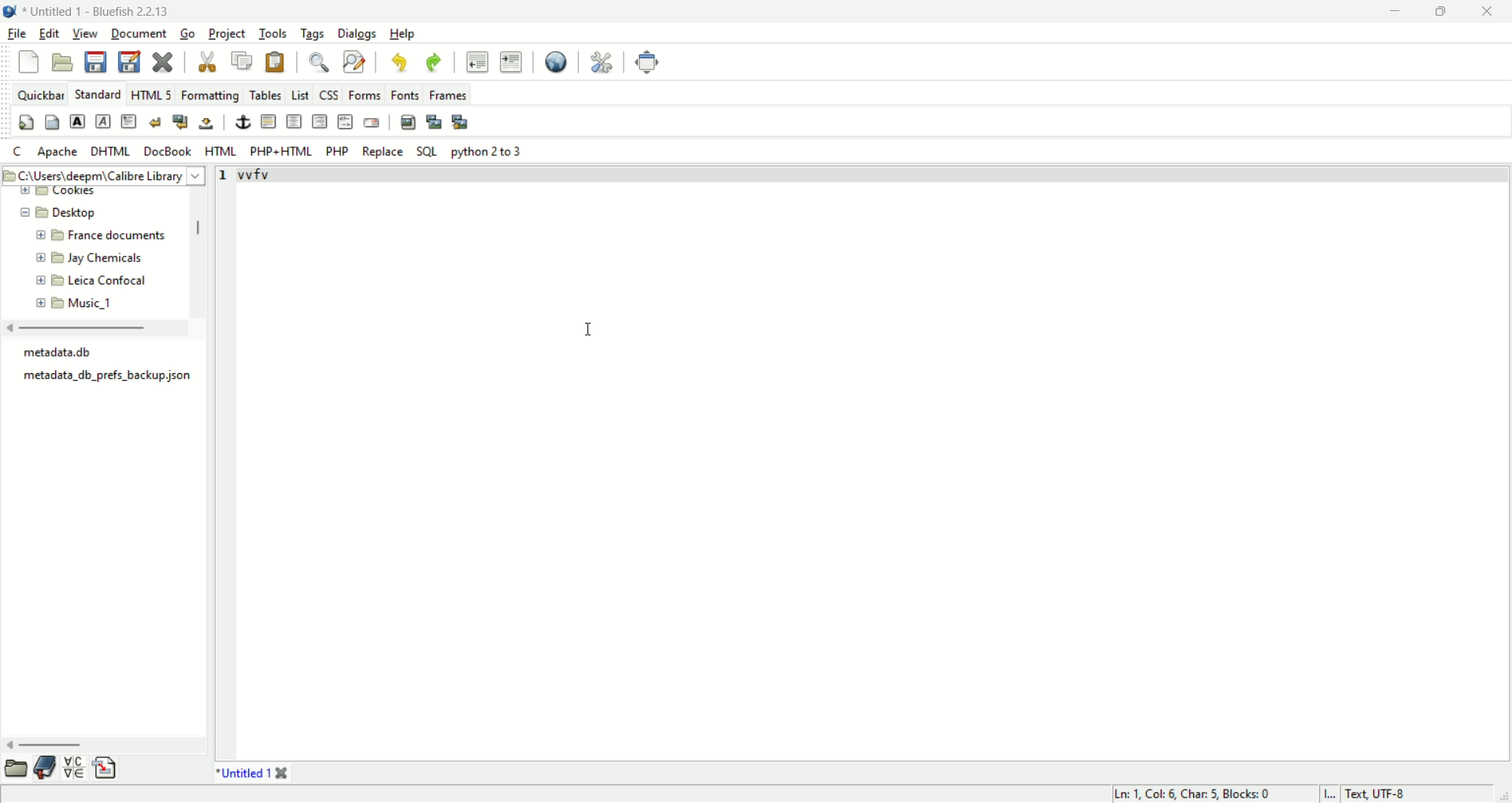  Describe the element at coordinates (405, 34) in the screenshot. I see `help` at that location.